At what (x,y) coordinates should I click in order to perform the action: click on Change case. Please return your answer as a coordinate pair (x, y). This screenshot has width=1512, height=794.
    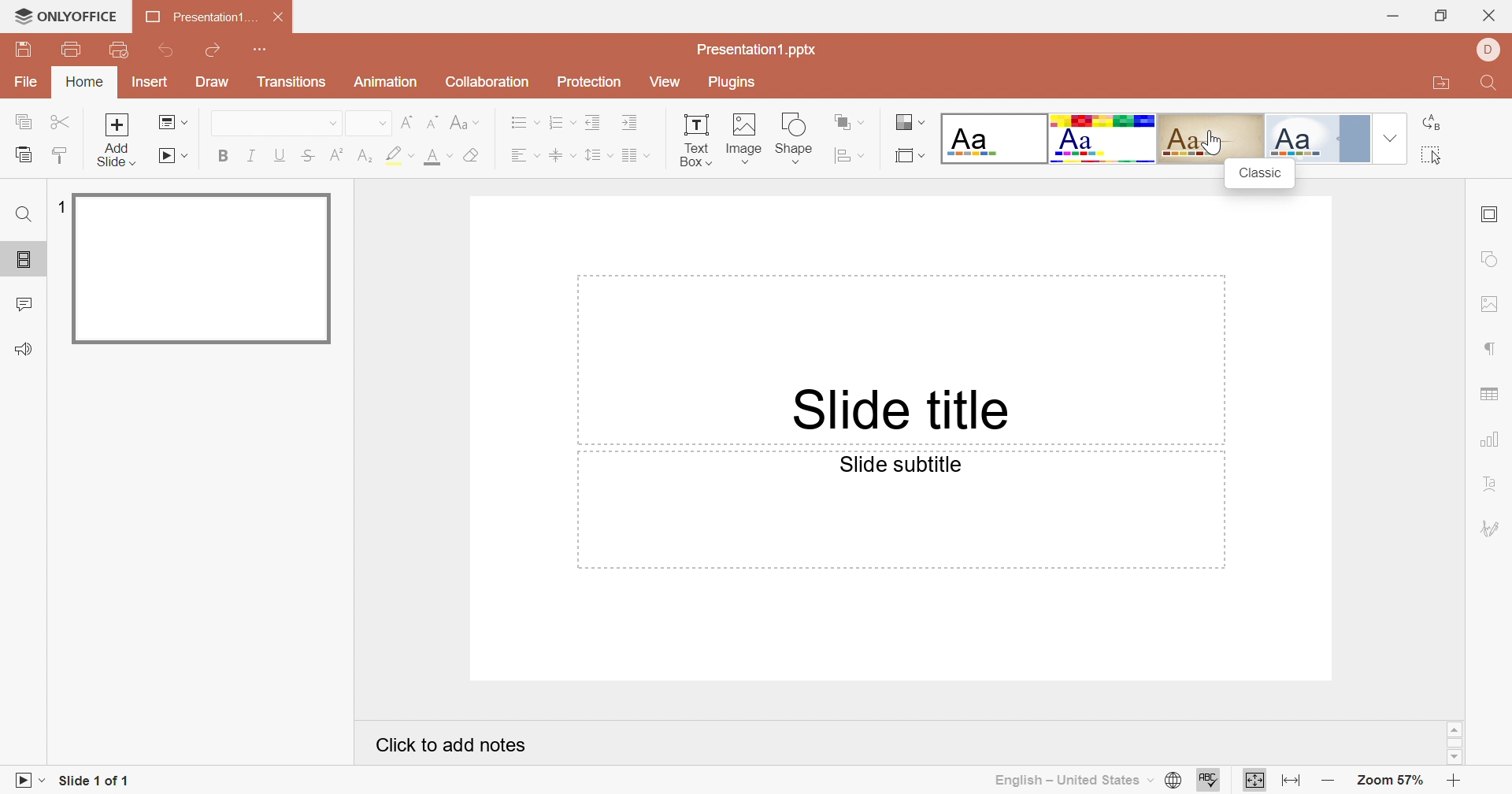
    Looking at the image, I should click on (461, 121).